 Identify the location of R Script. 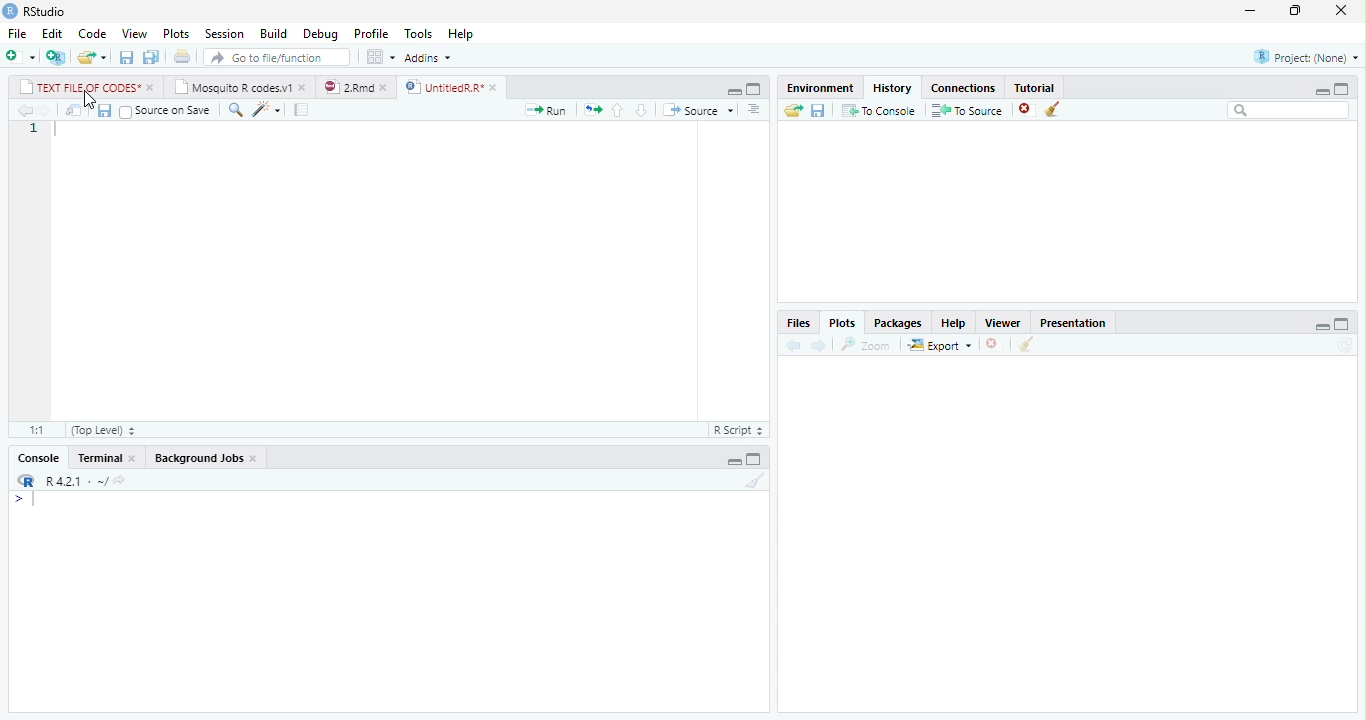
(740, 429).